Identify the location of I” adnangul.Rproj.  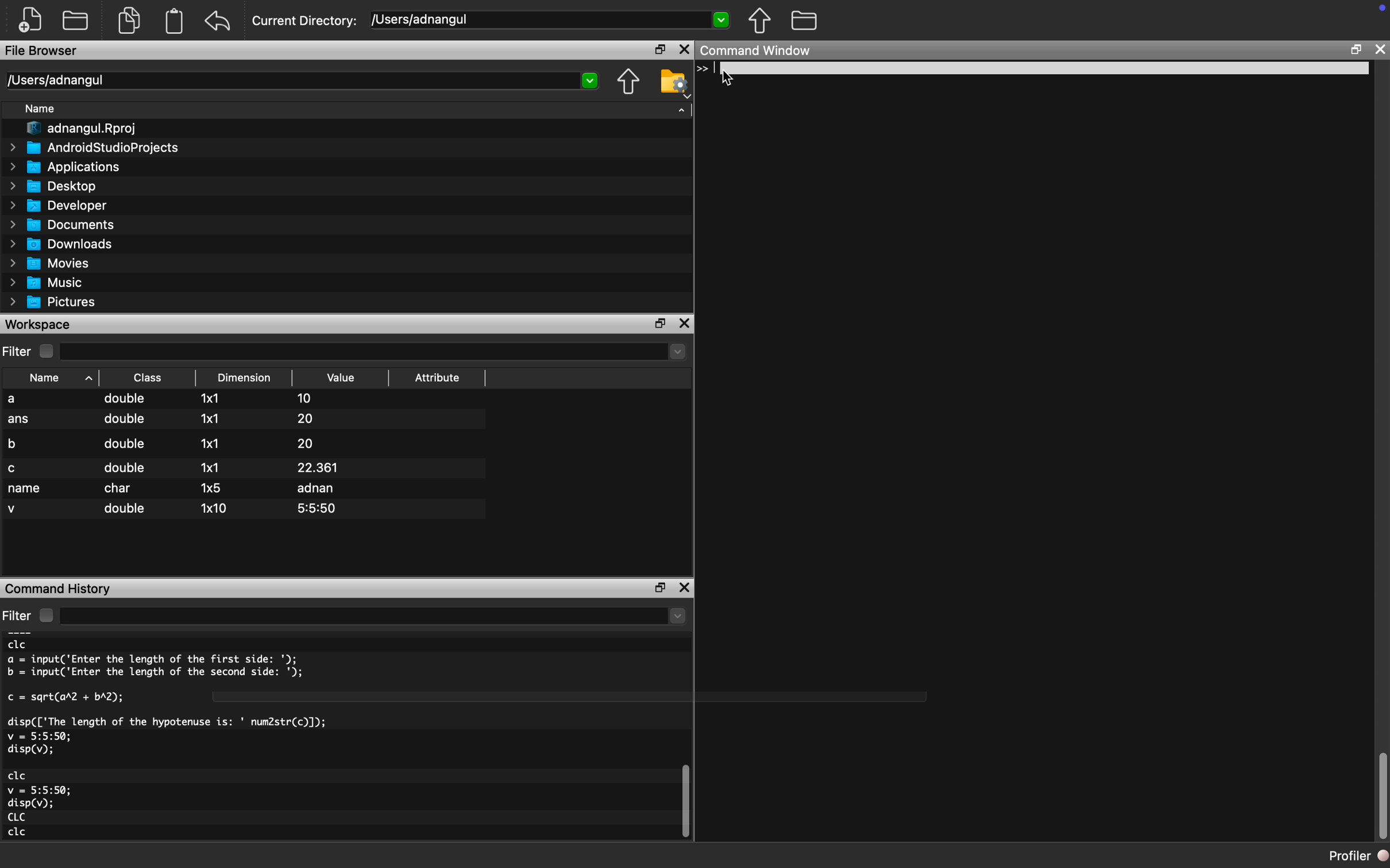
(77, 128).